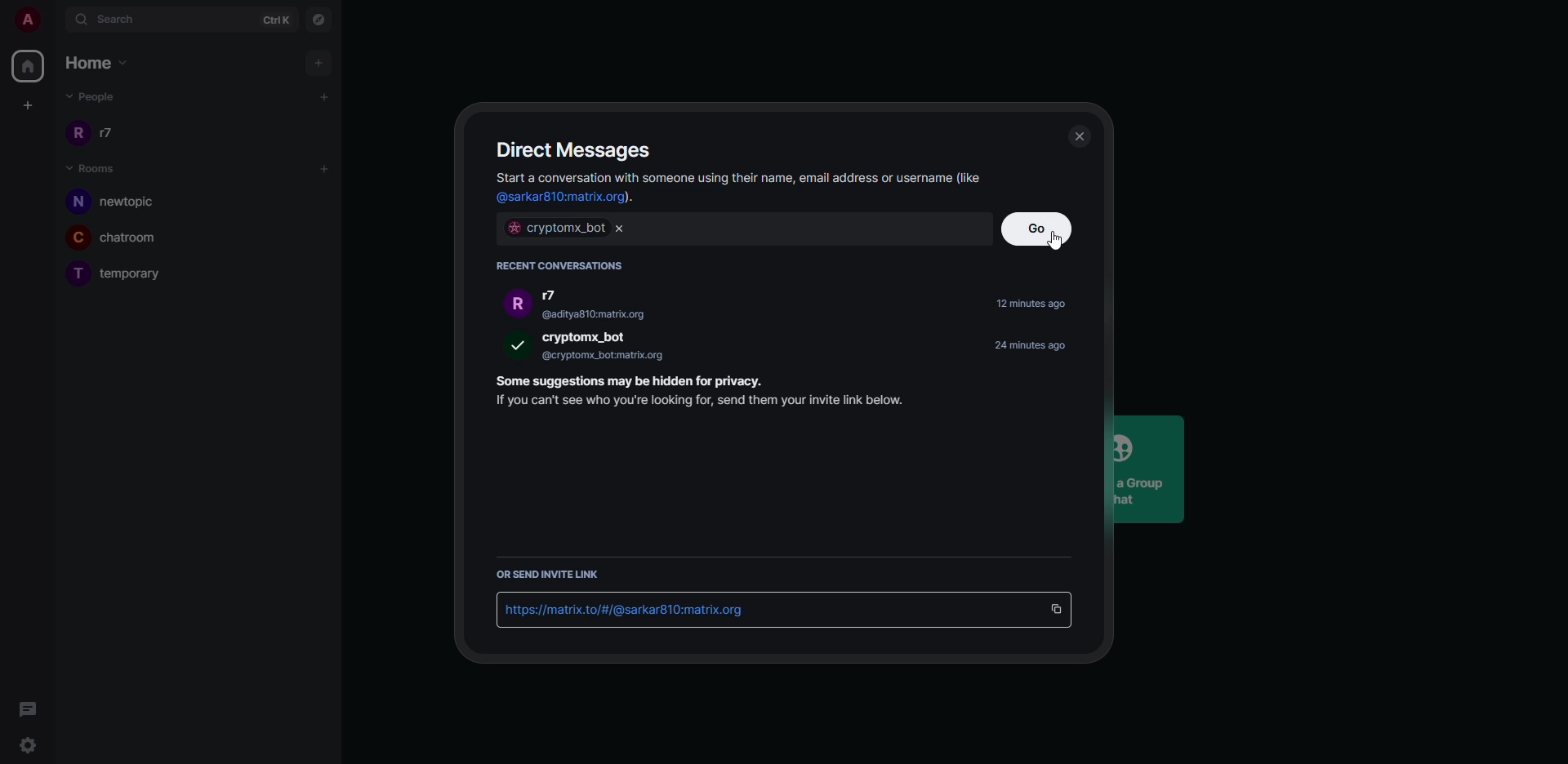 Image resolution: width=1568 pixels, height=764 pixels. What do you see at coordinates (276, 20) in the screenshot?
I see `ctrlK` at bounding box center [276, 20].